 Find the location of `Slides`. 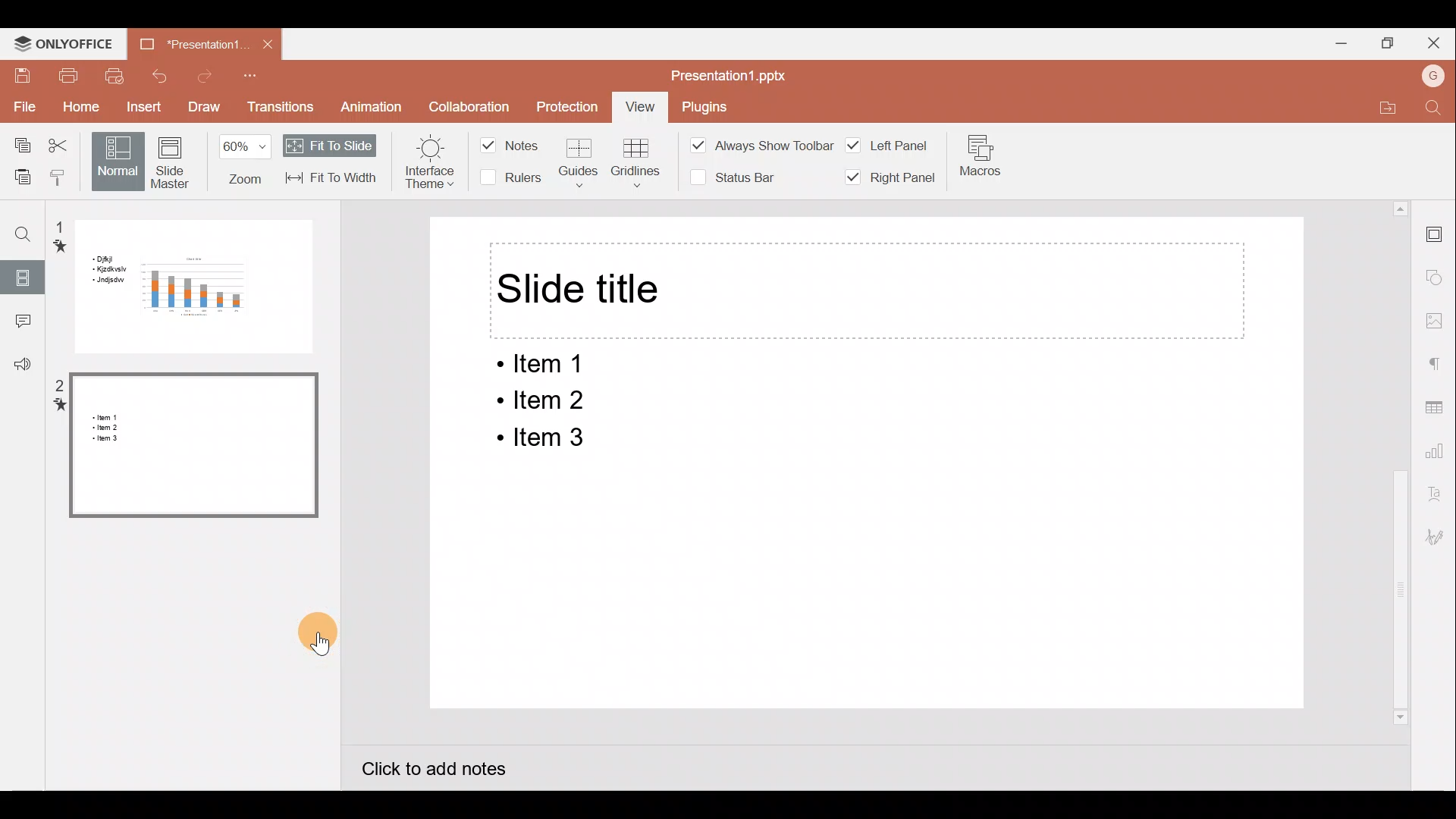

Slides is located at coordinates (24, 280).